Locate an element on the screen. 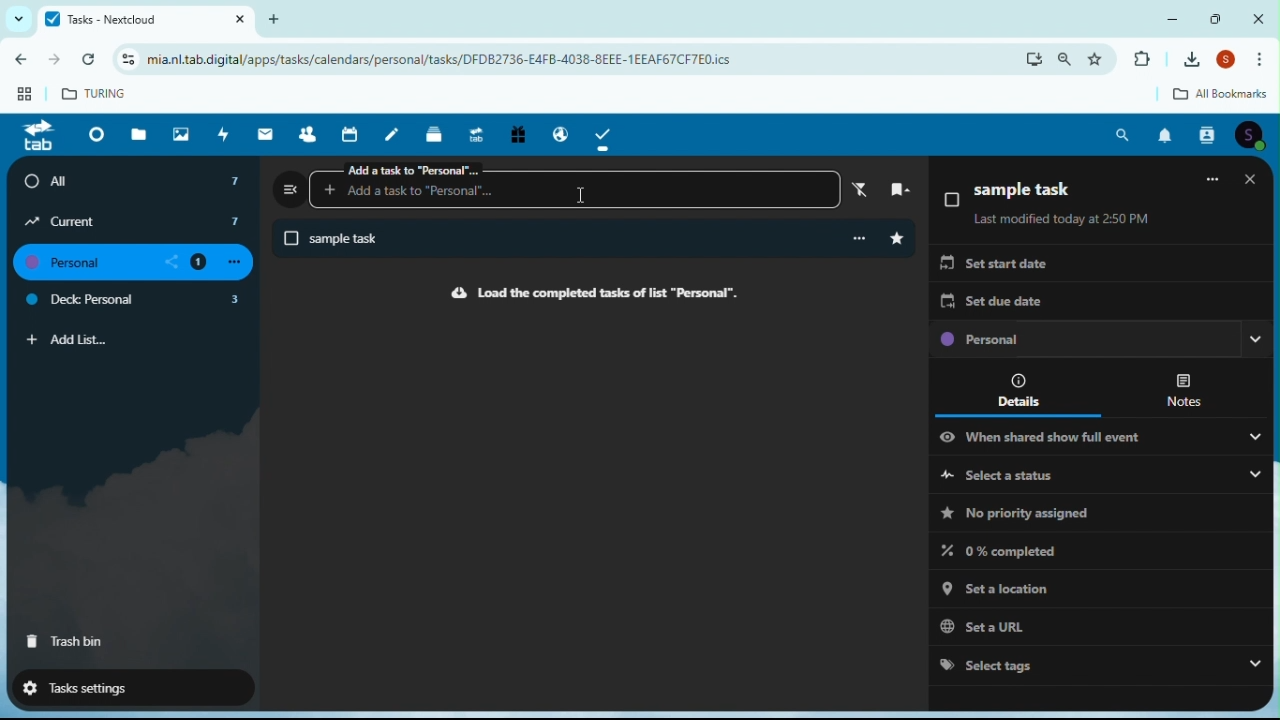 Image resolution: width=1280 pixels, height=720 pixels. Set due date is located at coordinates (994, 302).